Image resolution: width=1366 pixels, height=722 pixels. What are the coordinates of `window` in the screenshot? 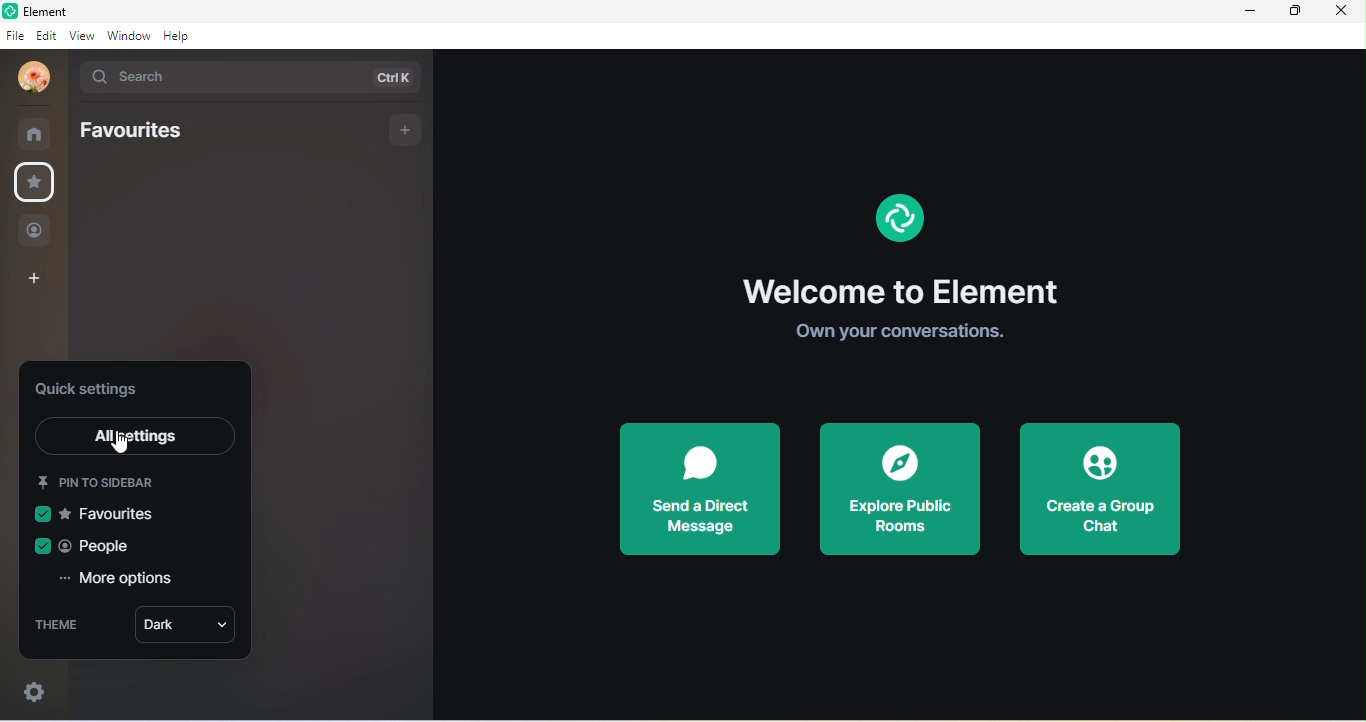 It's located at (129, 35).